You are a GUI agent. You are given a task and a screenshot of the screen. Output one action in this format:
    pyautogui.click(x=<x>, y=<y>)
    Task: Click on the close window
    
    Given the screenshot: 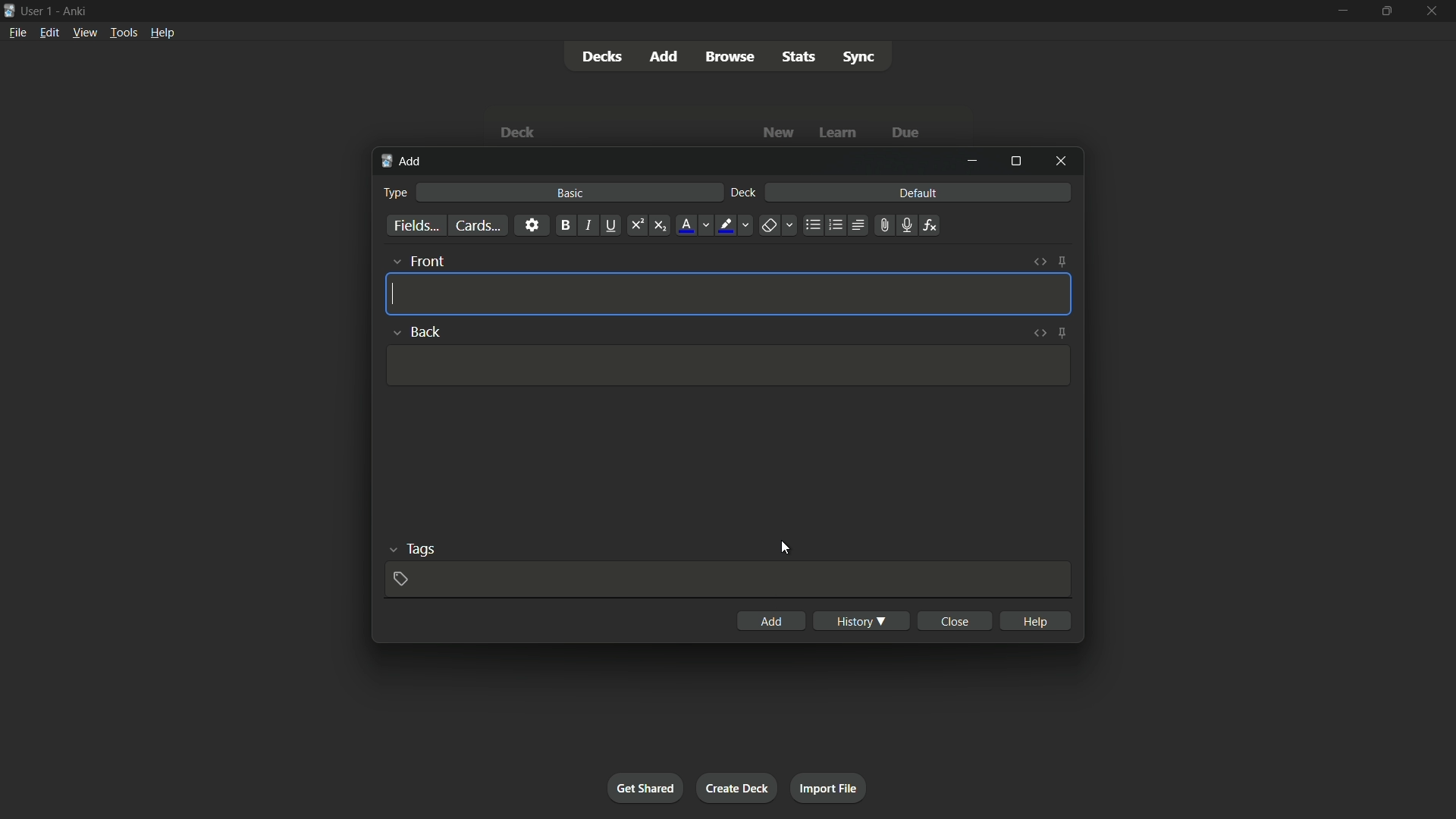 What is the action you would take?
    pyautogui.click(x=1061, y=162)
    